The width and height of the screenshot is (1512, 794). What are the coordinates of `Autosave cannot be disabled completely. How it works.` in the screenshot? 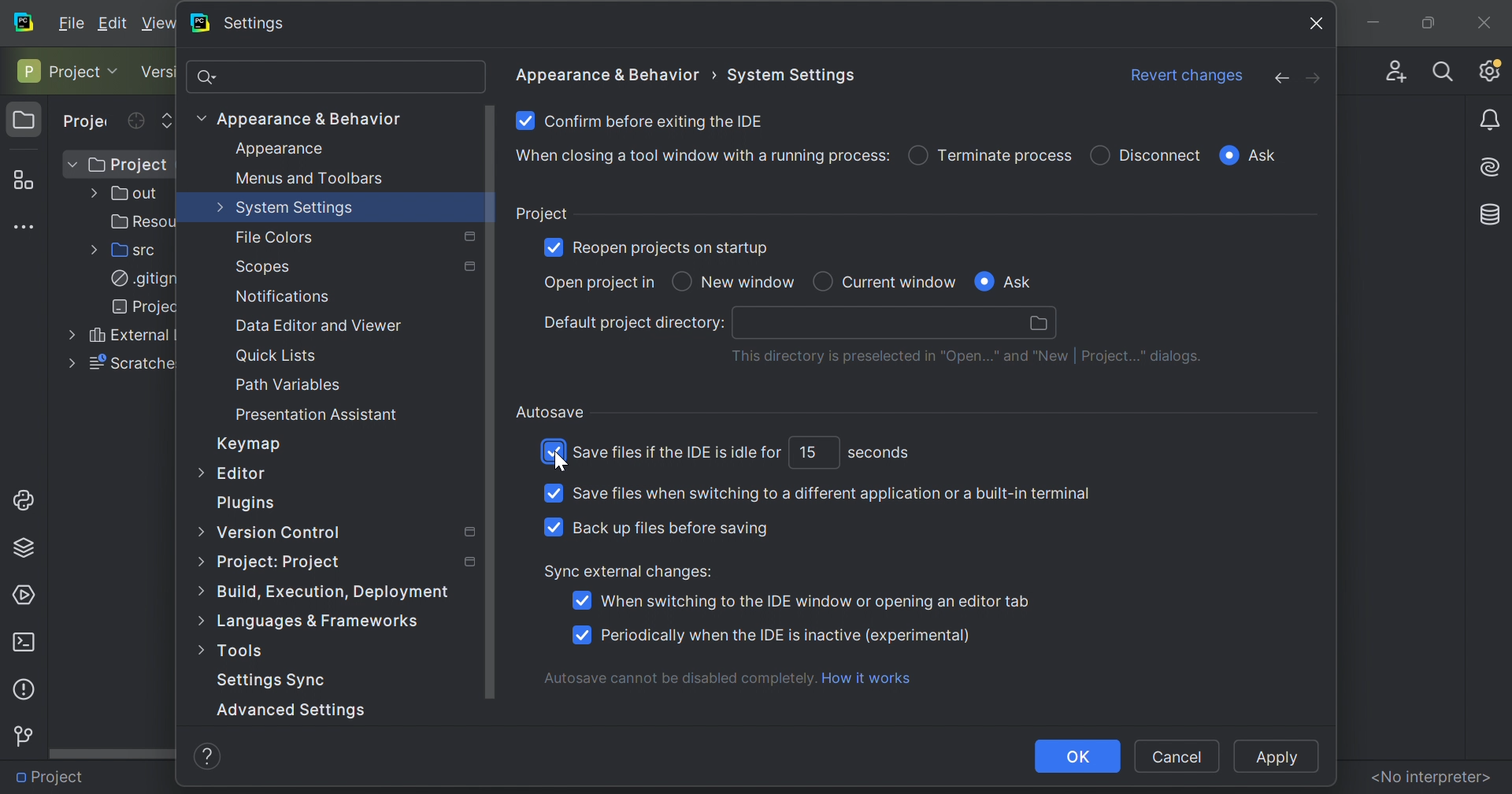 It's located at (733, 677).